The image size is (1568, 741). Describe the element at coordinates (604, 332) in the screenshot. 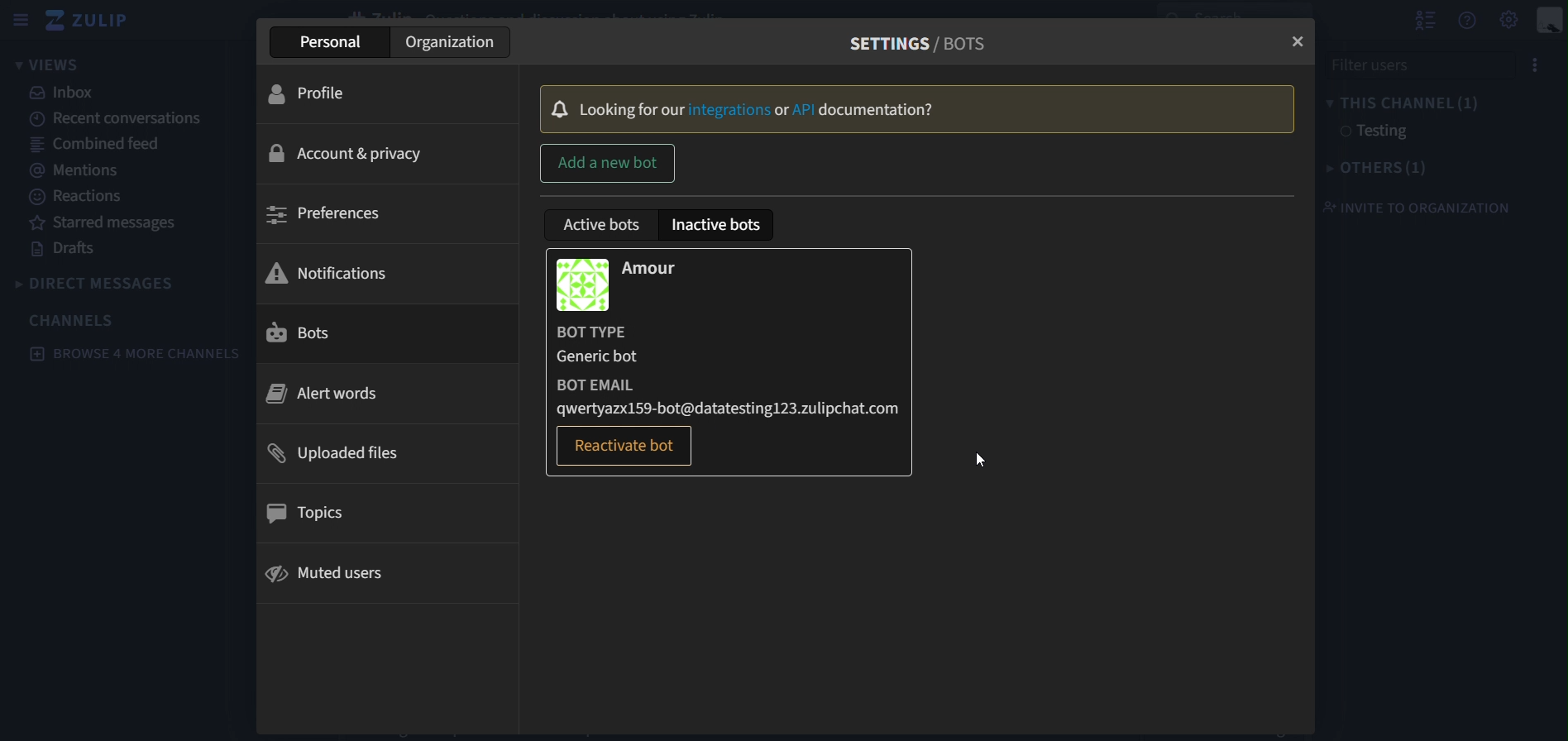

I see `BOT TYPE` at that location.